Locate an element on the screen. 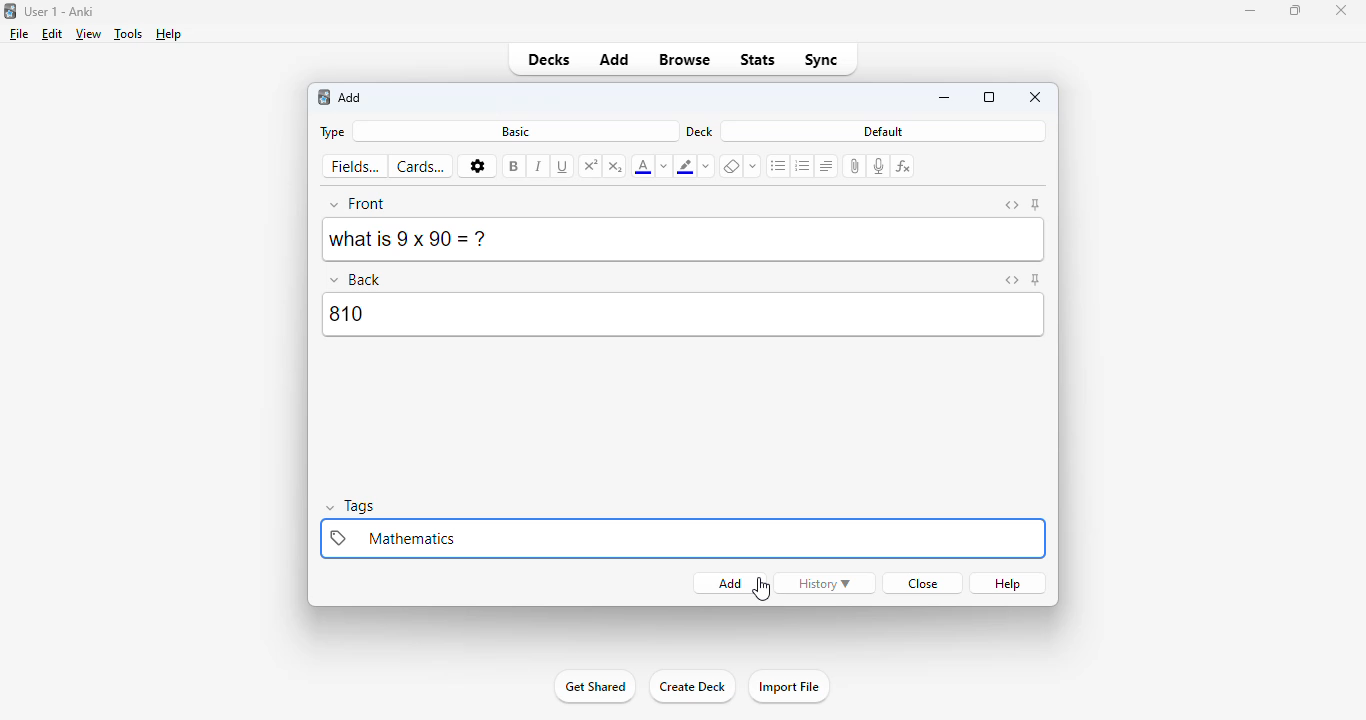  text color is located at coordinates (642, 166).